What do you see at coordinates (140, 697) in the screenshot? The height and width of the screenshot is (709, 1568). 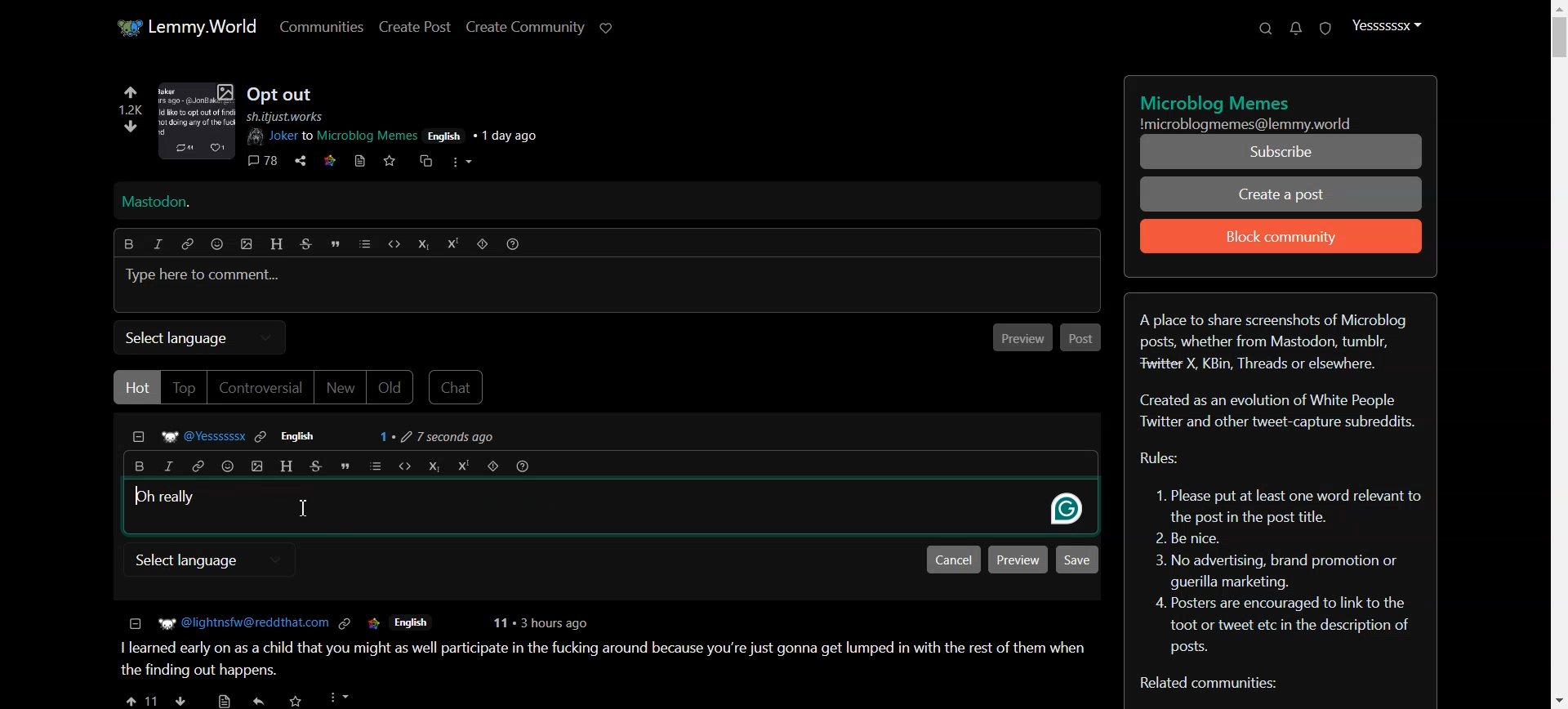 I see `upvote` at bounding box center [140, 697].